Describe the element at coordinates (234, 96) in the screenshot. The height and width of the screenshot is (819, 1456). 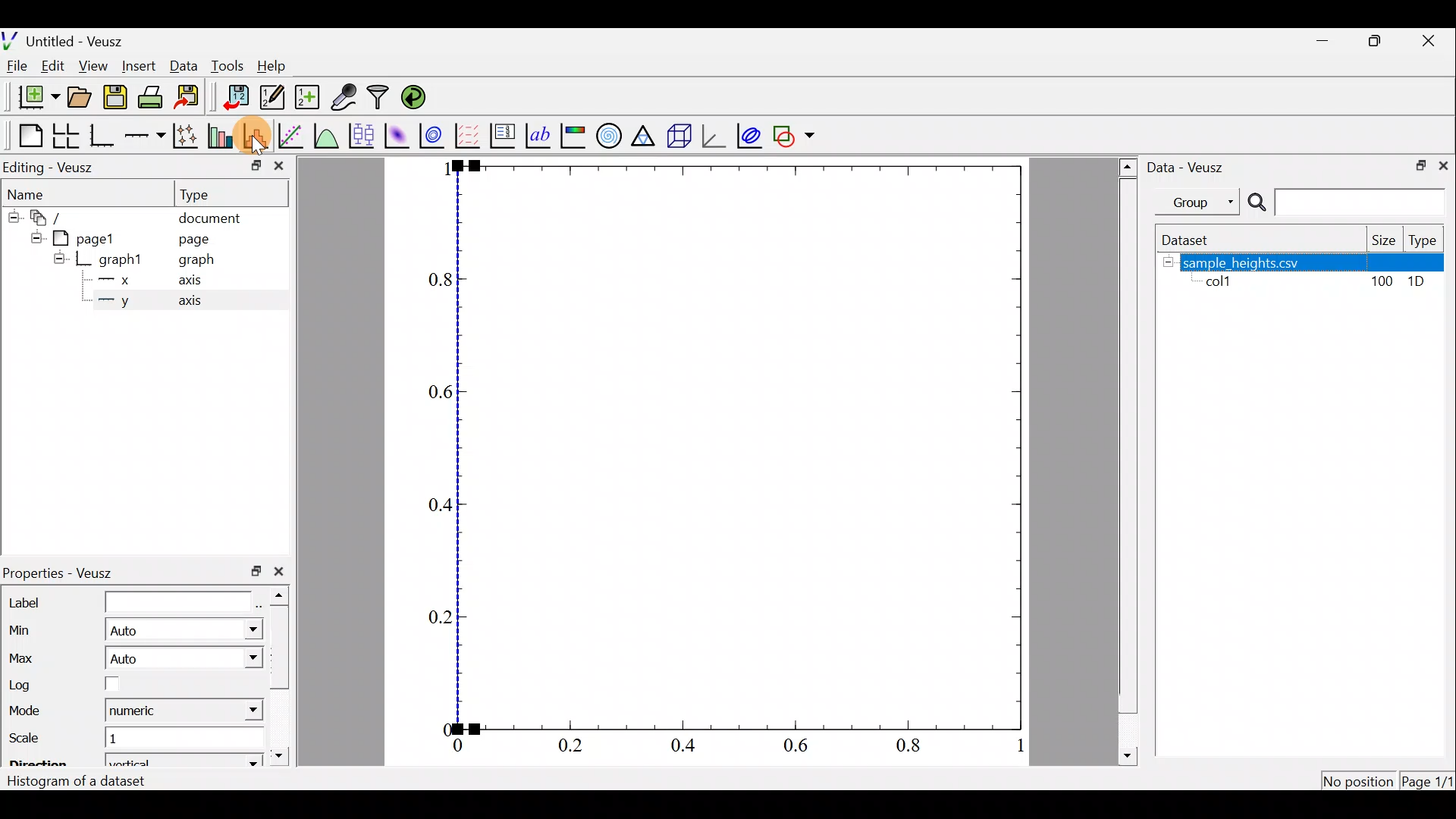
I see `import data into Veusz` at that location.